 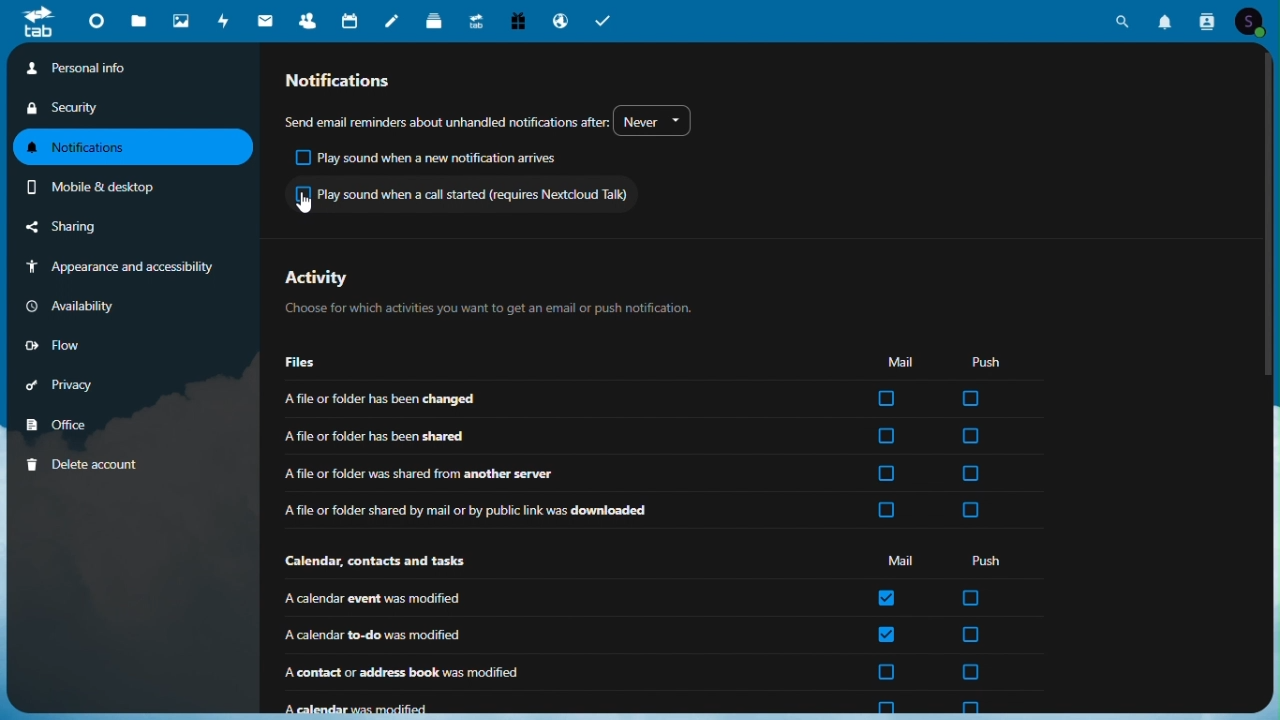 What do you see at coordinates (486, 291) in the screenshot?
I see `Activity` at bounding box center [486, 291].